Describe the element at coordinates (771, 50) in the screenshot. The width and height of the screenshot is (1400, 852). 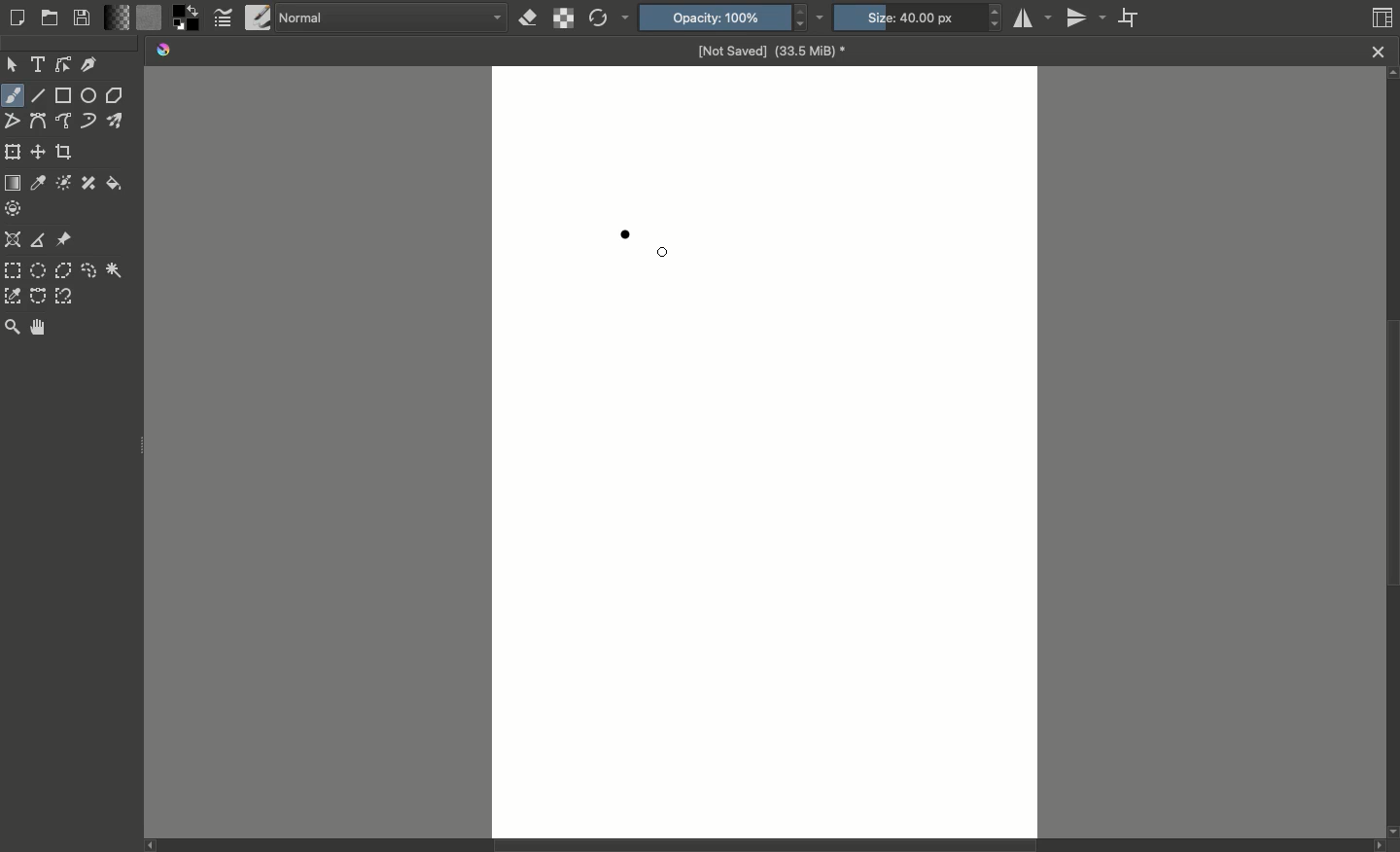
I see `Not saved (33.5 MiB)` at that location.